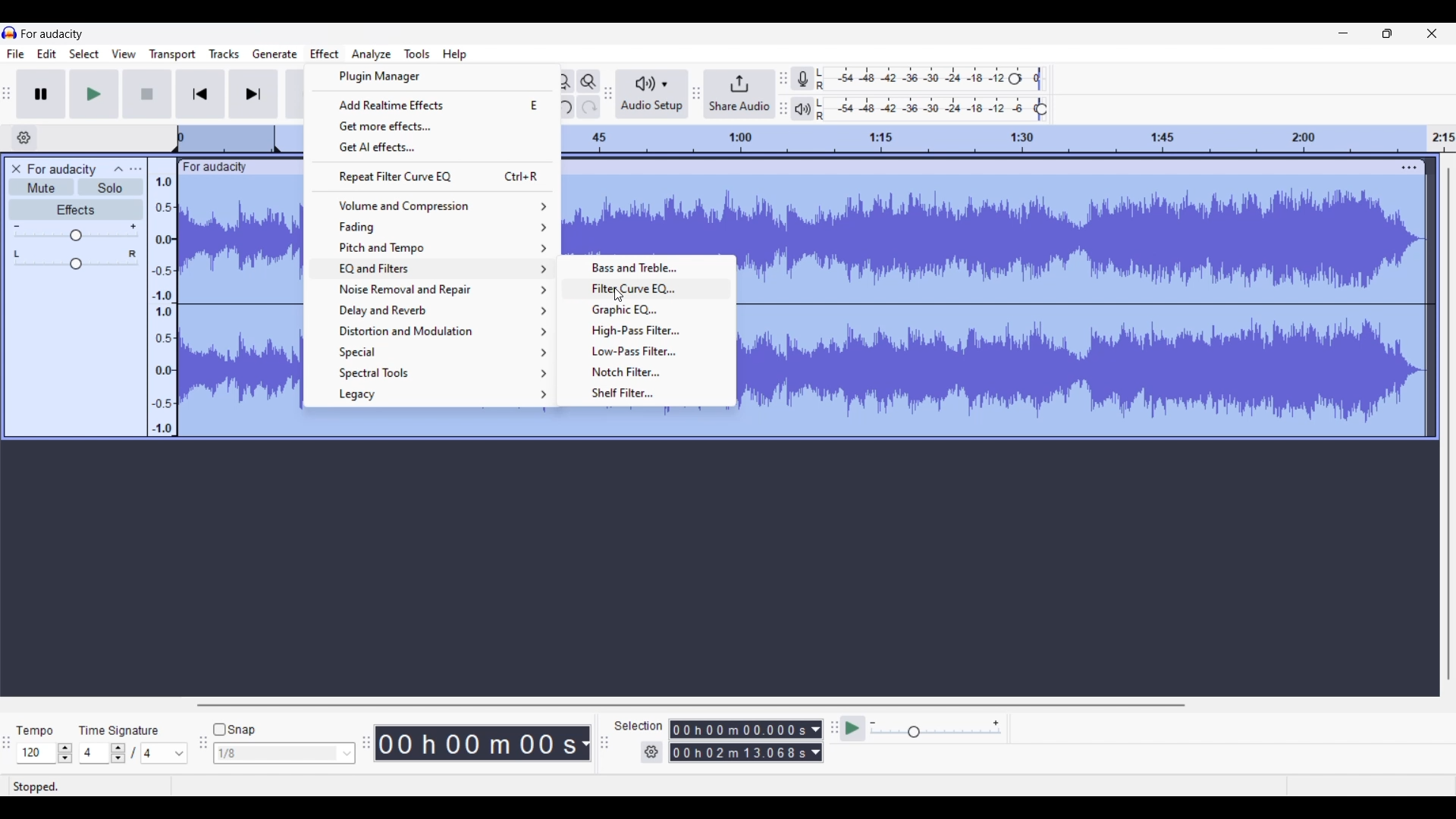  What do you see at coordinates (88, 787) in the screenshot?
I see `Status of current recording` at bounding box center [88, 787].